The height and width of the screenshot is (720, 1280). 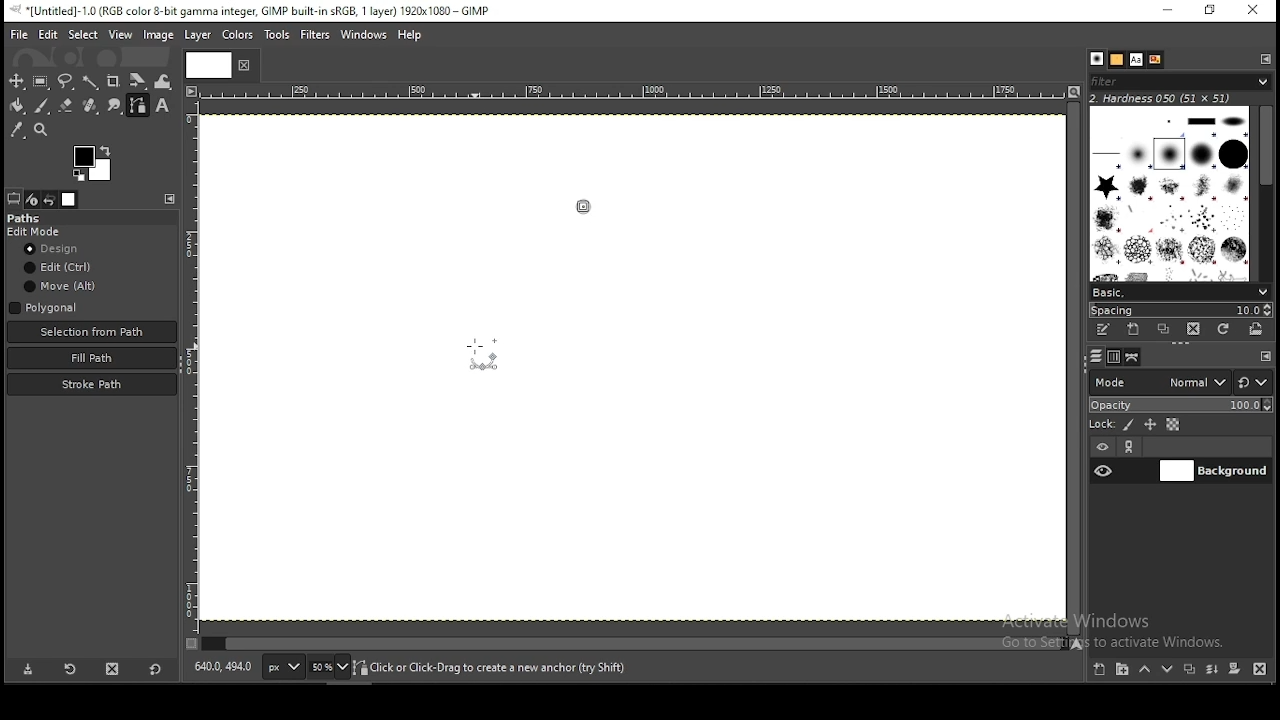 I want to click on open brush as image, so click(x=1255, y=331).